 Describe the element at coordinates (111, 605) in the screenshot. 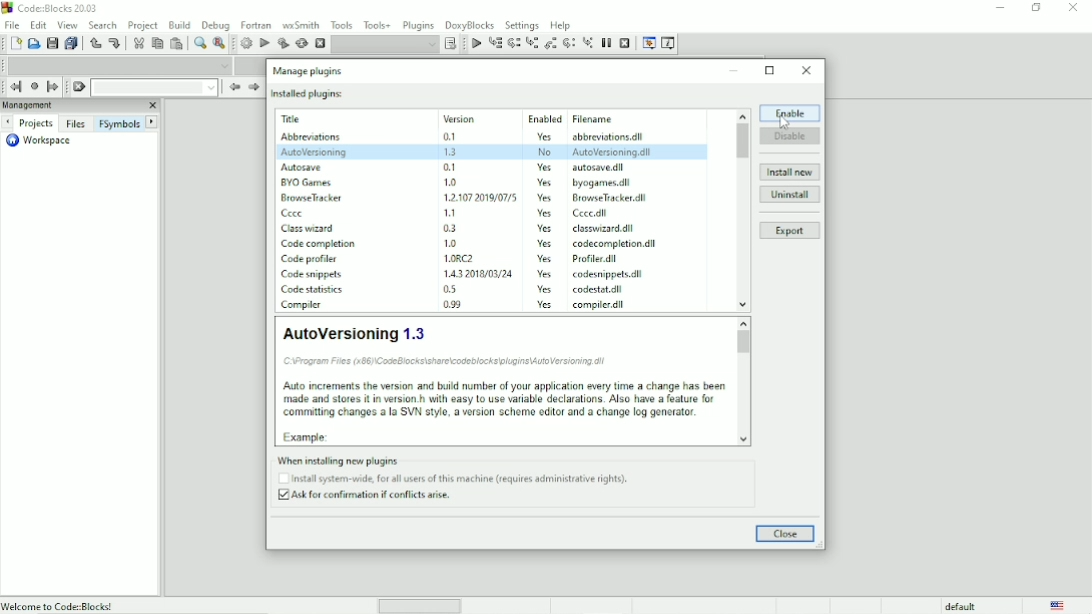

I see `welcome to code:blocks!` at that location.